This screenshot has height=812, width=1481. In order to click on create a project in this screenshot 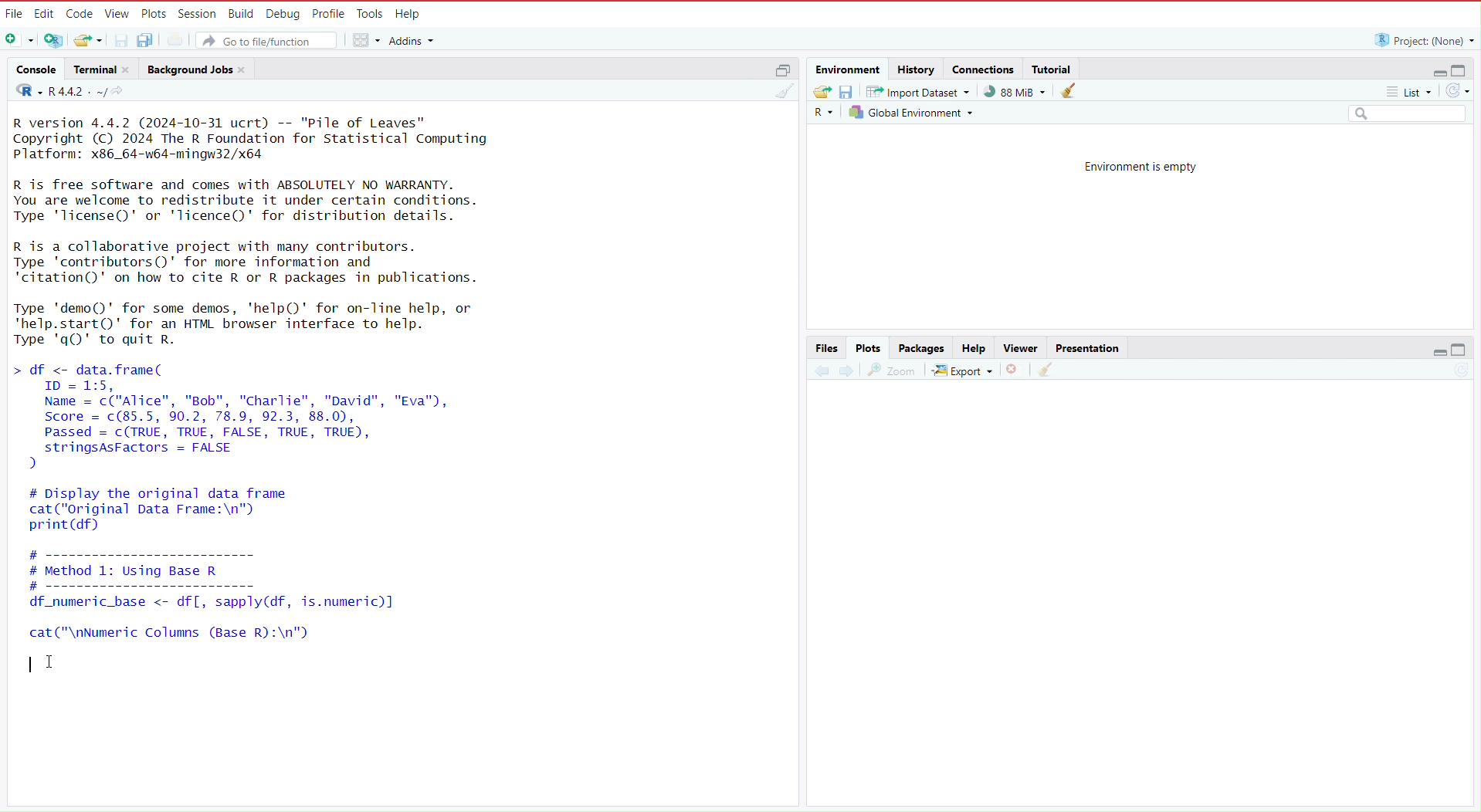, I will do `click(54, 39)`.